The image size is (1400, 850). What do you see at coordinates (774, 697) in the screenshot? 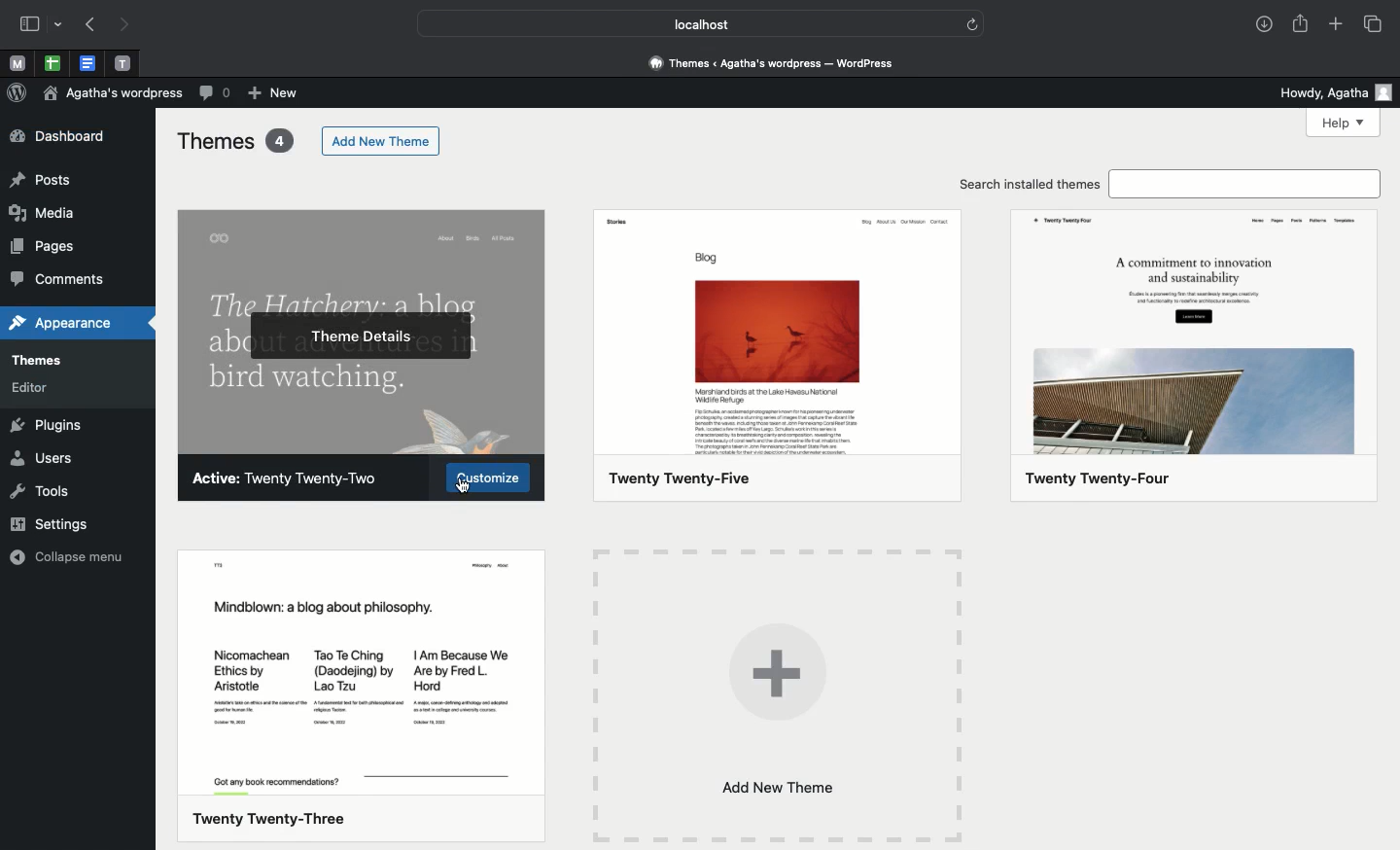
I see `Add new theme` at bounding box center [774, 697].